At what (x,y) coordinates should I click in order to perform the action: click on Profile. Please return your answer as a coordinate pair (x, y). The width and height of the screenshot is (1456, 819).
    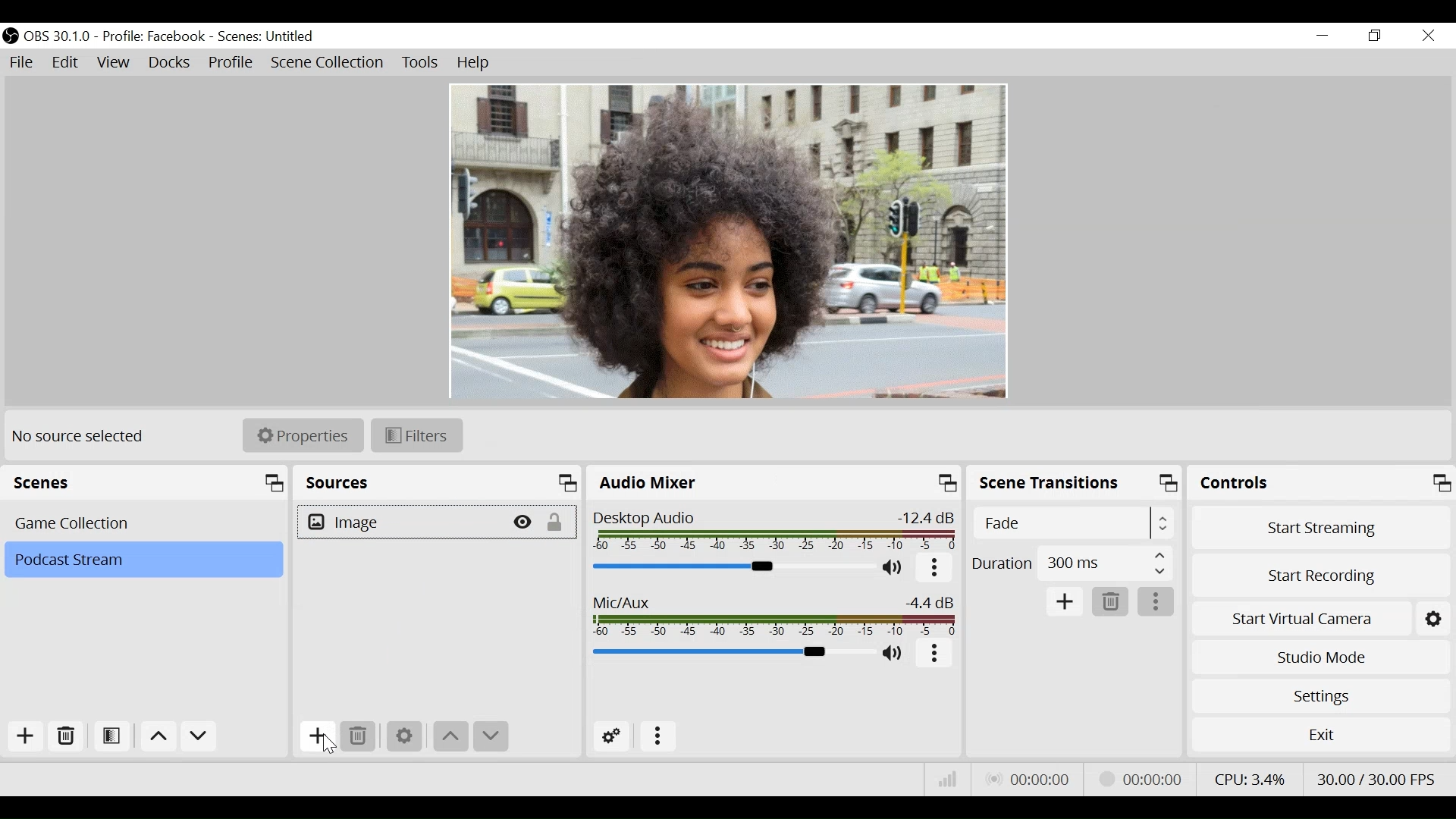
    Looking at the image, I should click on (231, 64).